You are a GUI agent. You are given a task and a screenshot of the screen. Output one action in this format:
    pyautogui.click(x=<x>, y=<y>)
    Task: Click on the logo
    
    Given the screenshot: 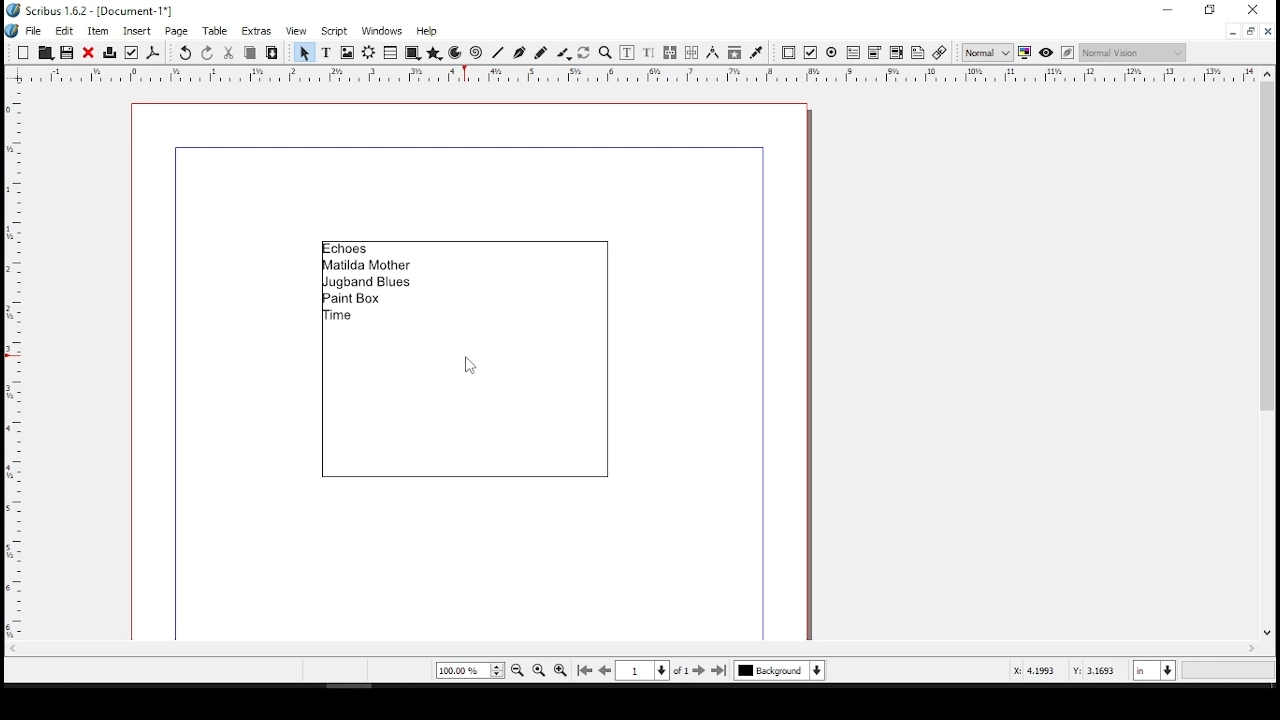 What is the action you would take?
    pyautogui.click(x=12, y=32)
    